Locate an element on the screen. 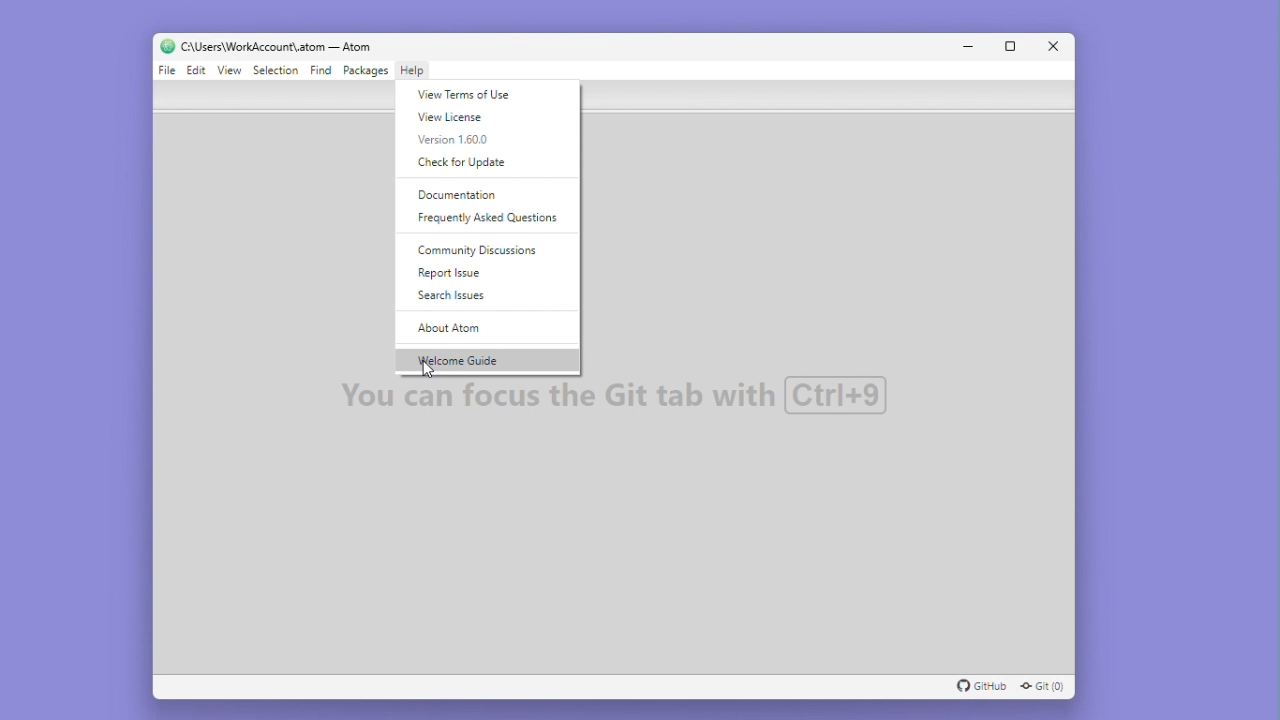 The image size is (1280, 720). Maximize is located at coordinates (1010, 46).